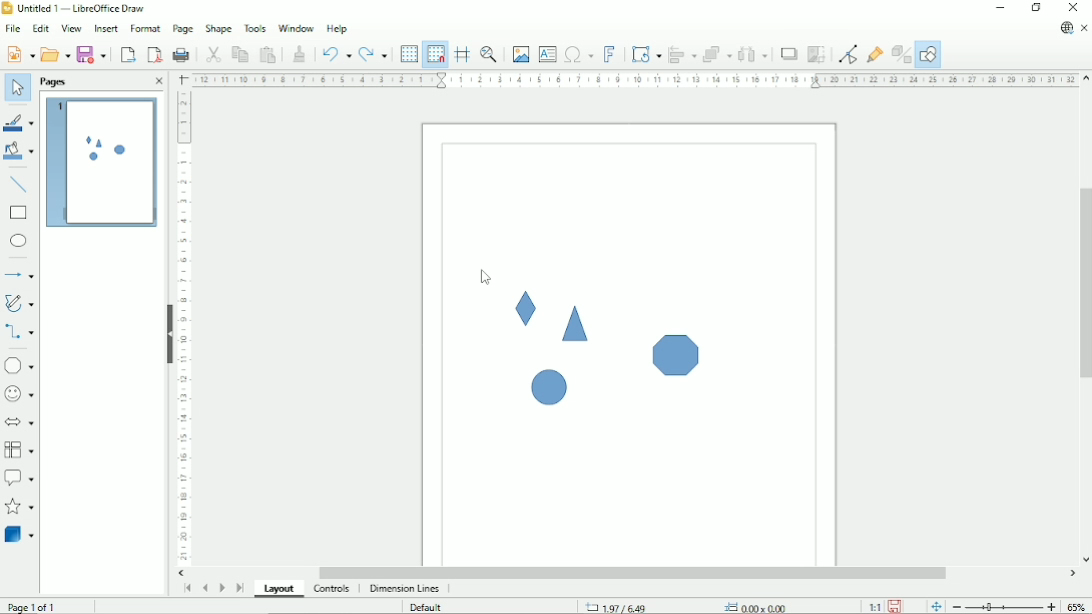  What do you see at coordinates (70, 28) in the screenshot?
I see `View` at bounding box center [70, 28].